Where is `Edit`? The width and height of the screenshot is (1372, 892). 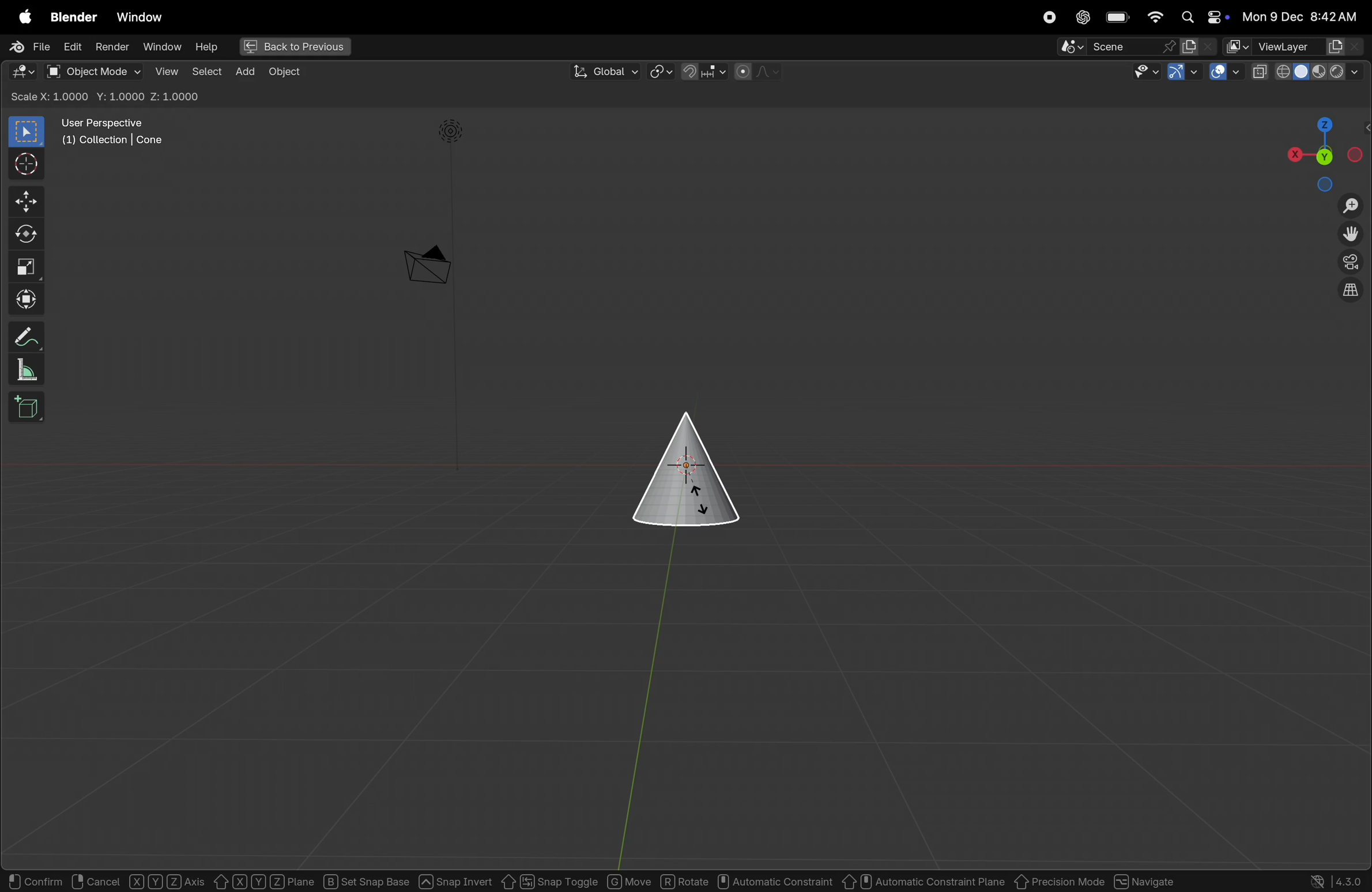
Edit is located at coordinates (72, 48).